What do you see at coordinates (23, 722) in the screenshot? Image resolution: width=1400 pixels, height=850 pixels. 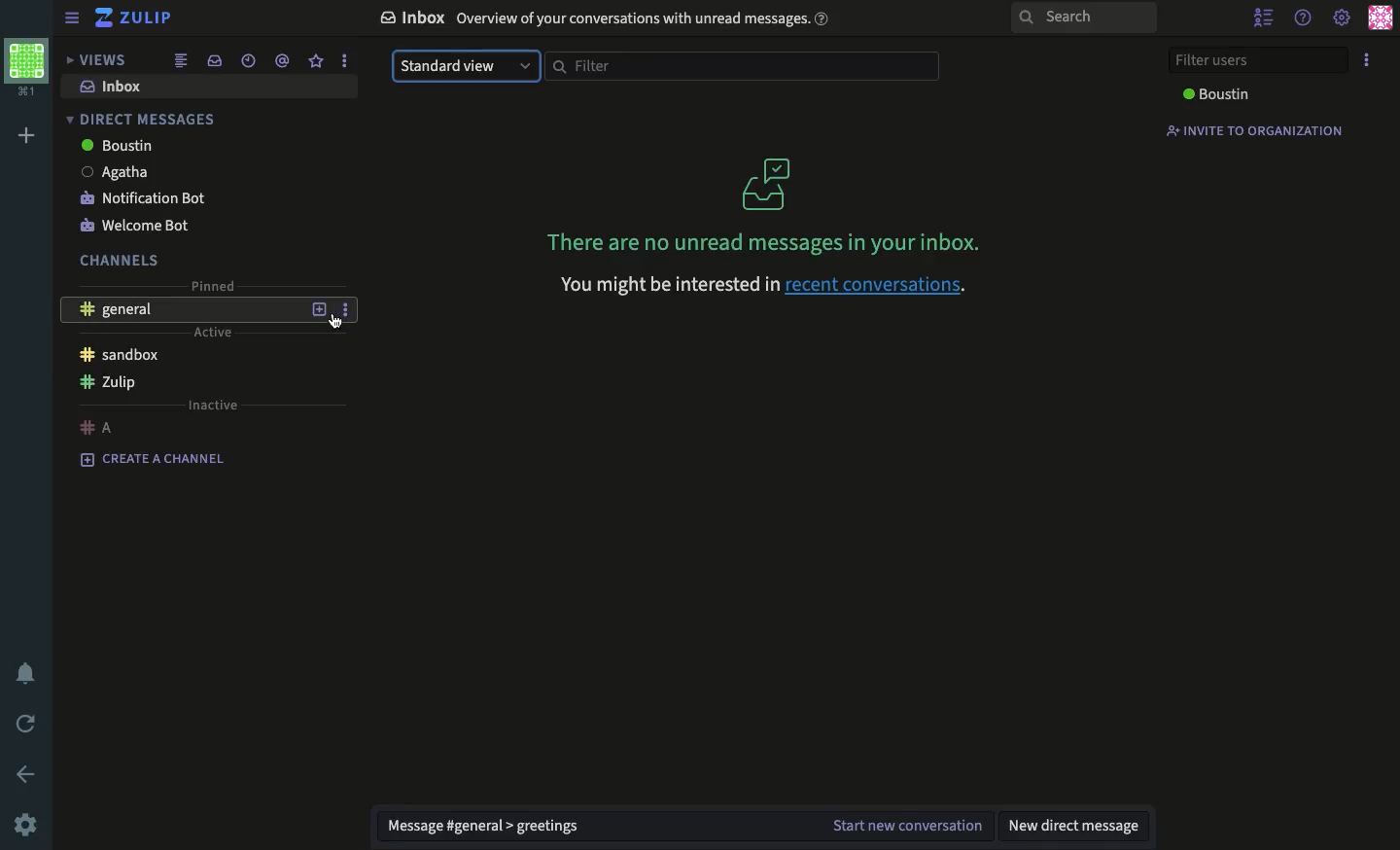 I see `refresh` at bounding box center [23, 722].